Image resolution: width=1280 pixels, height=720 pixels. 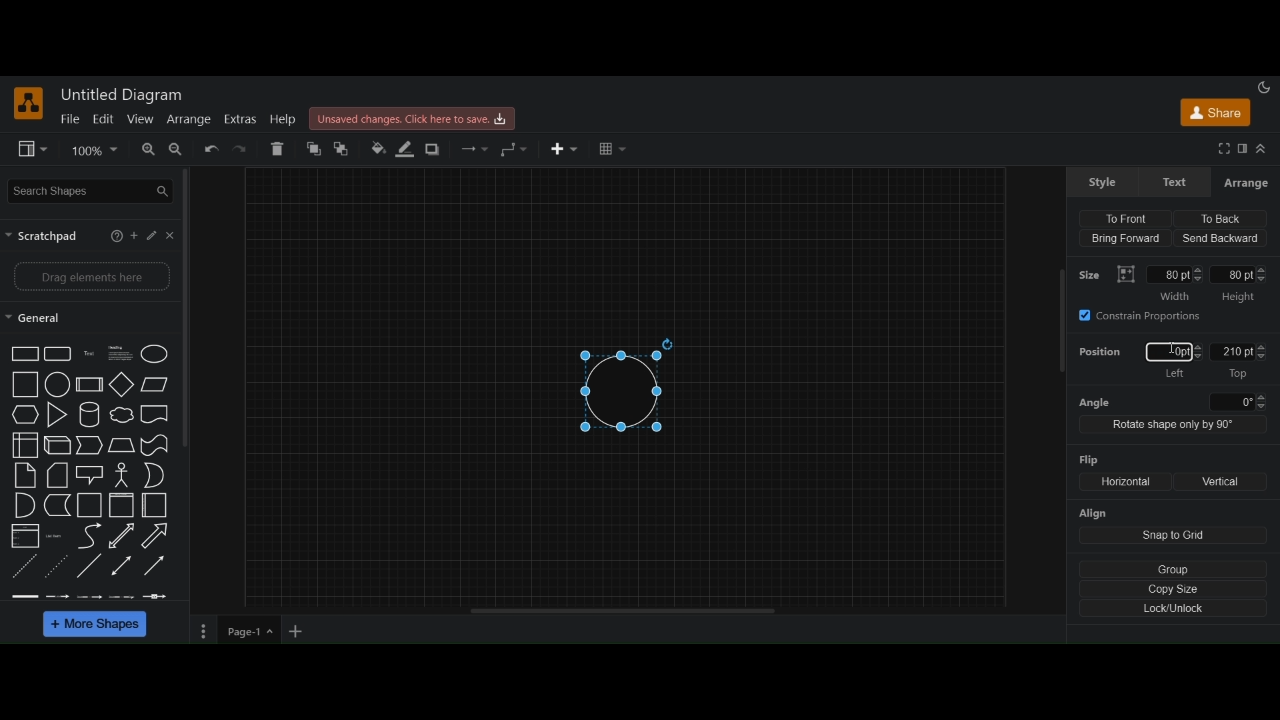 I want to click on clip, so click(x=25, y=535).